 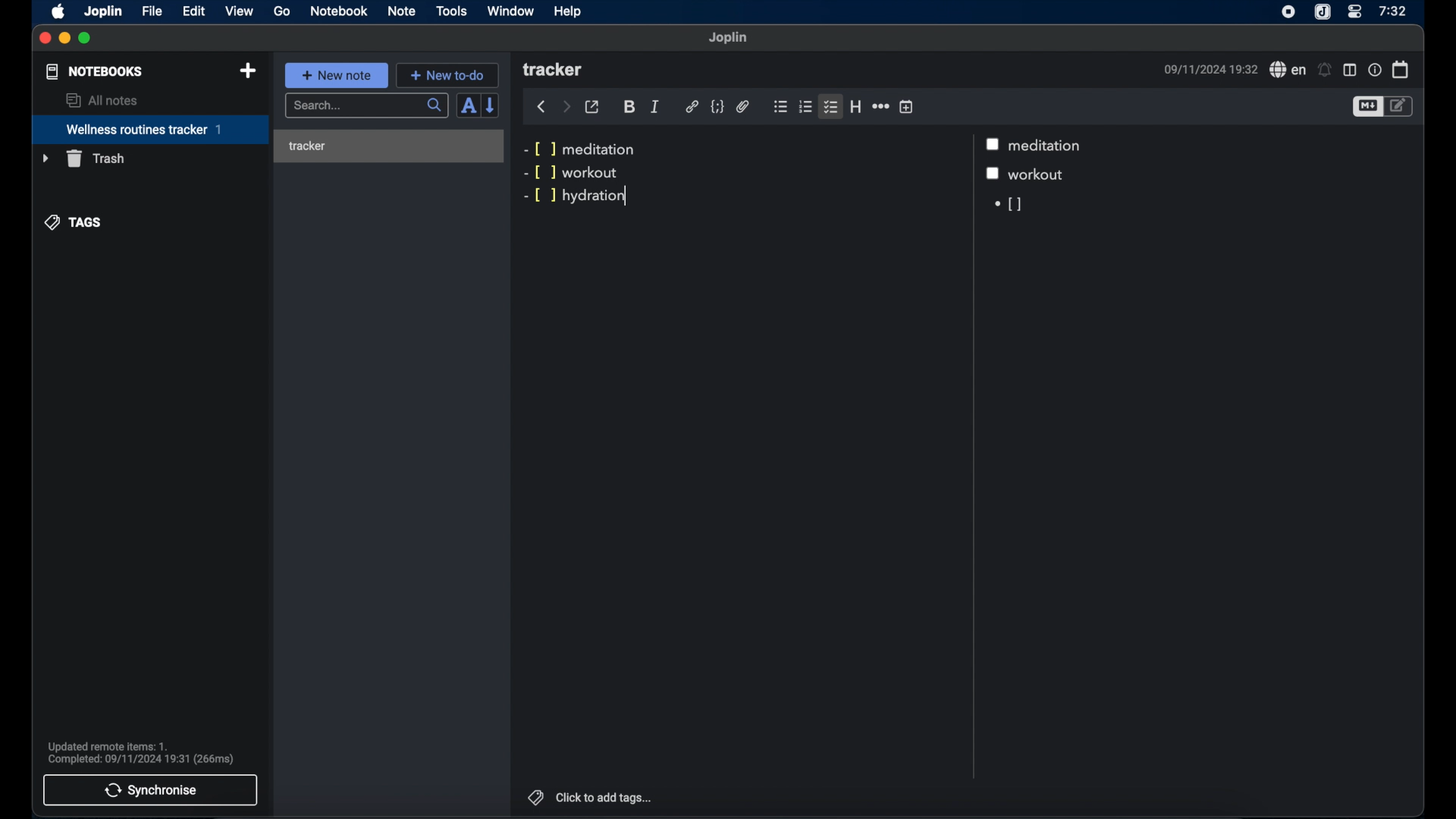 What do you see at coordinates (971, 457) in the screenshot?
I see `Scroll bar` at bounding box center [971, 457].